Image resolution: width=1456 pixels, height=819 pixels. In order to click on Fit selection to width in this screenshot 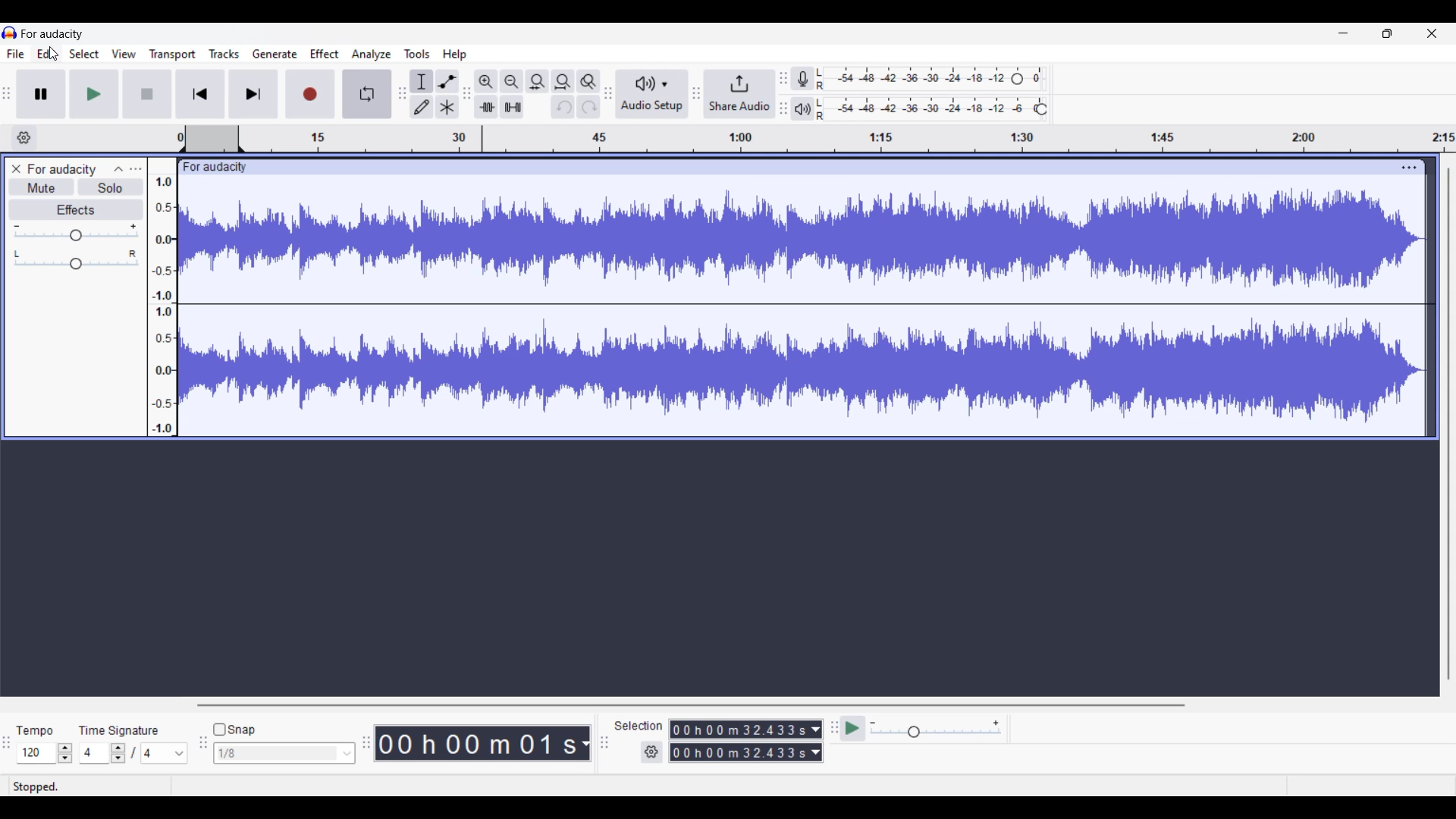, I will do `click(538, 81)`.